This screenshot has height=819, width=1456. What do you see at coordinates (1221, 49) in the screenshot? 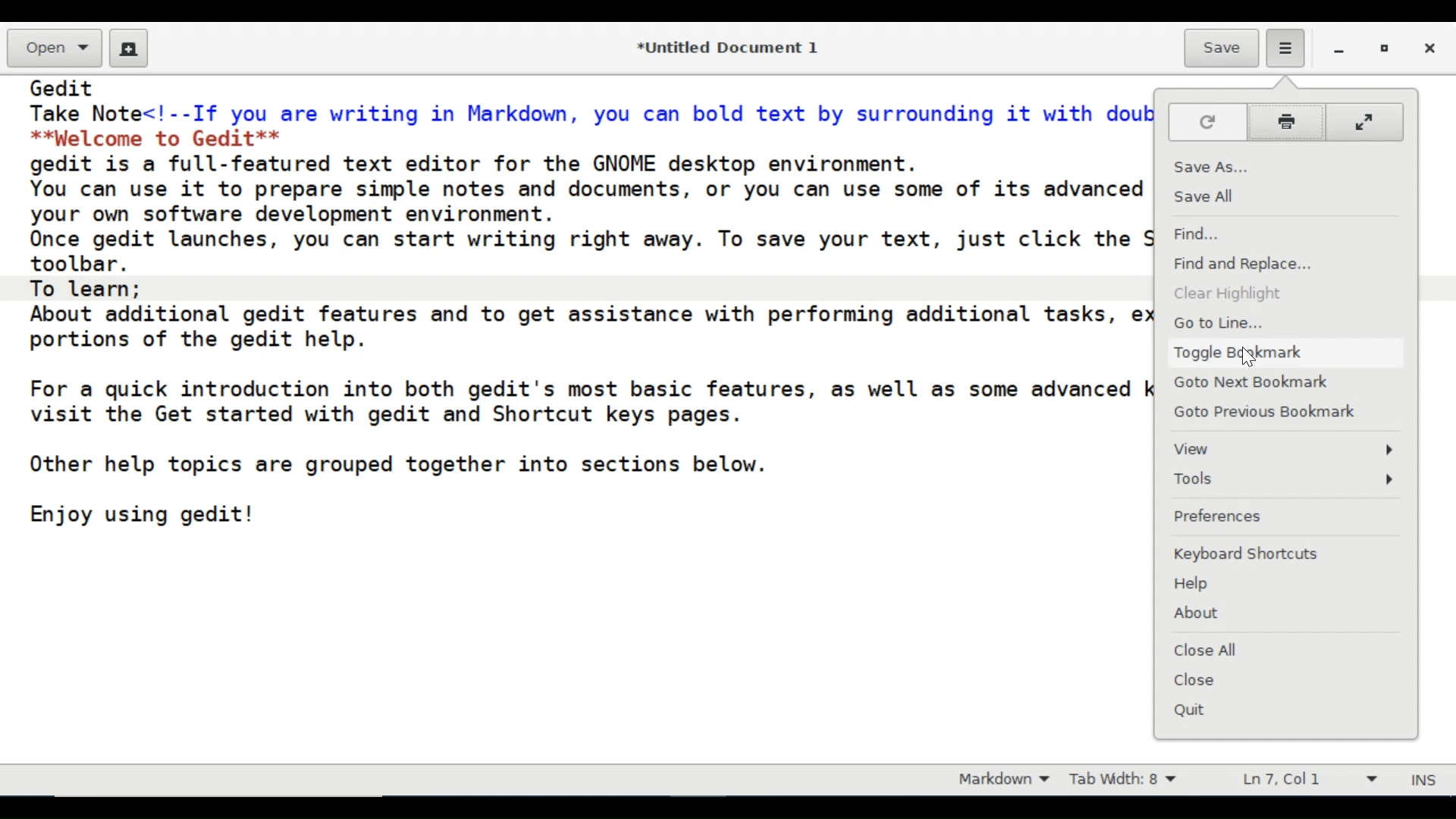
I see `Save` at bounding box center [1221, 49].